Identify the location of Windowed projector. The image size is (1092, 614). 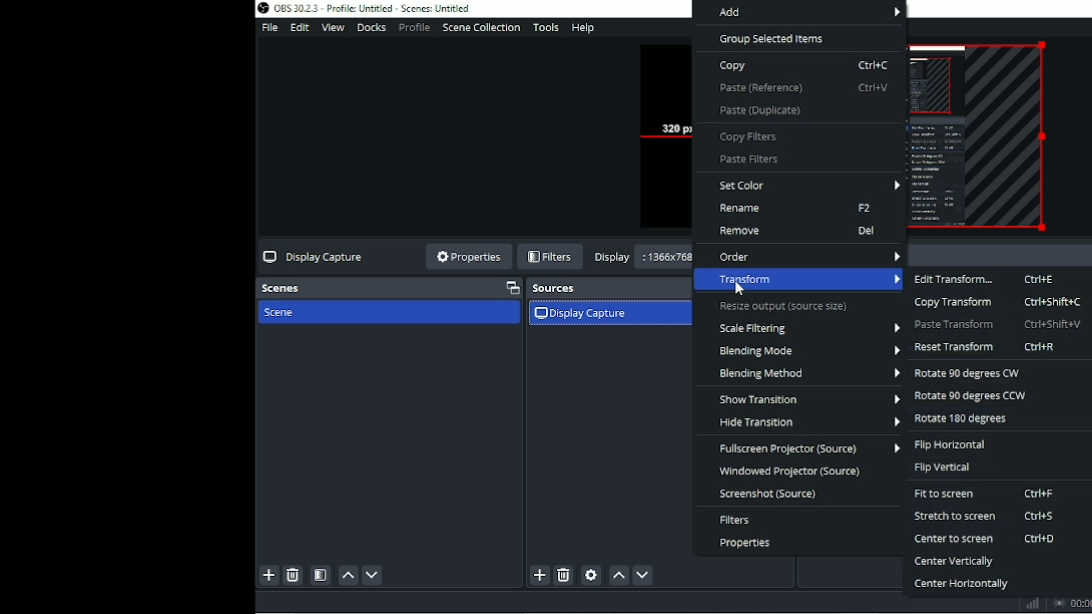
(790, 471).